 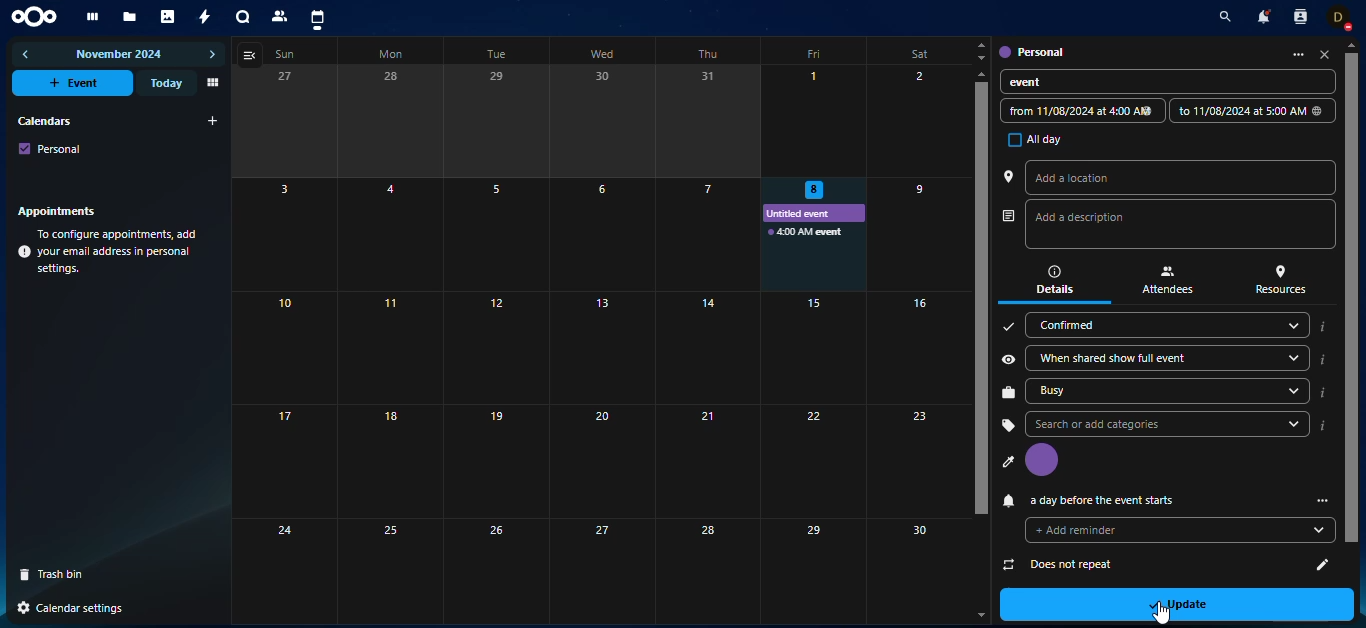 I want to click on 19, so click(x=493, y=462).